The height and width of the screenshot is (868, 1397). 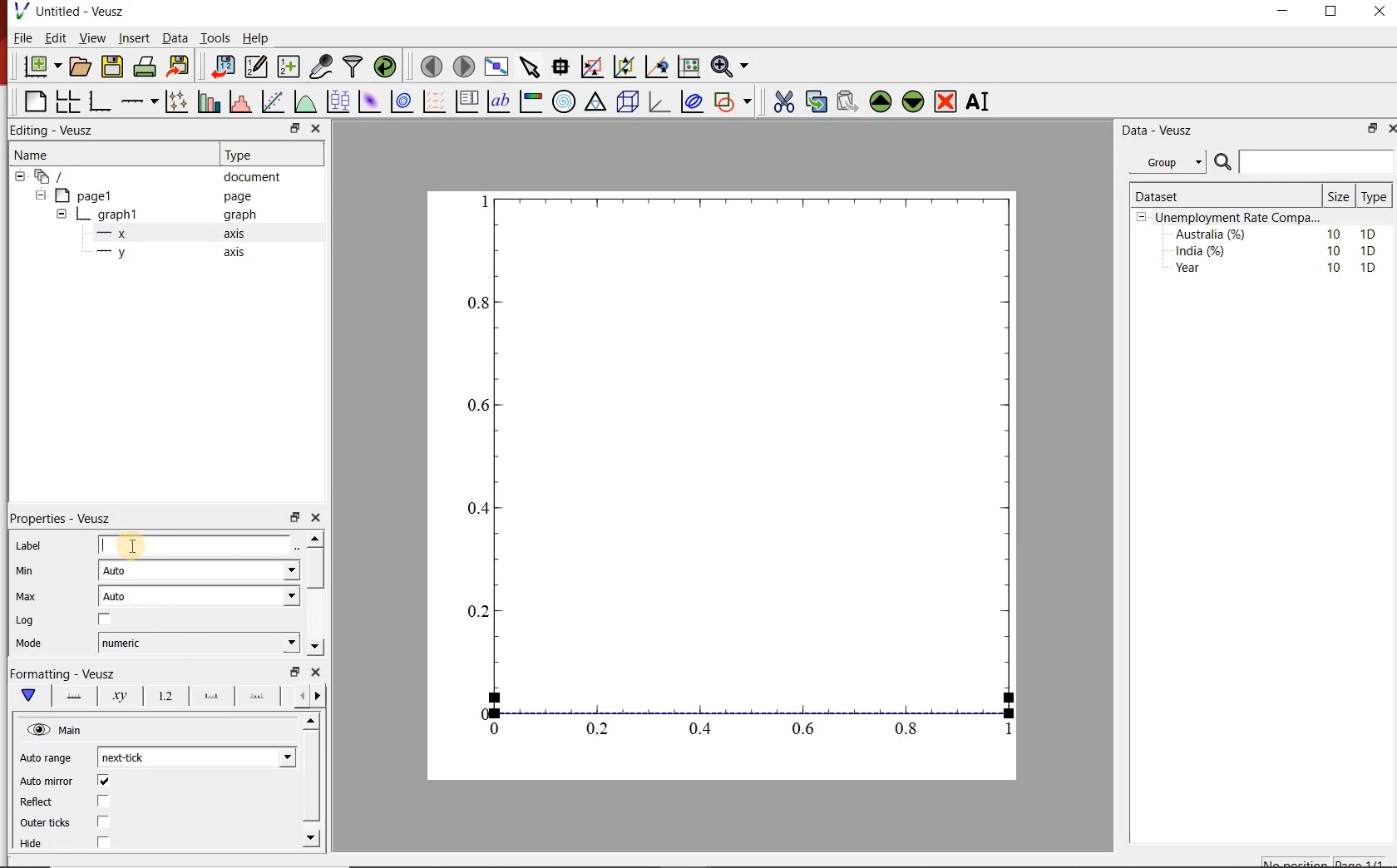 I want to click on add a shapes, so click(x=733, y=101).